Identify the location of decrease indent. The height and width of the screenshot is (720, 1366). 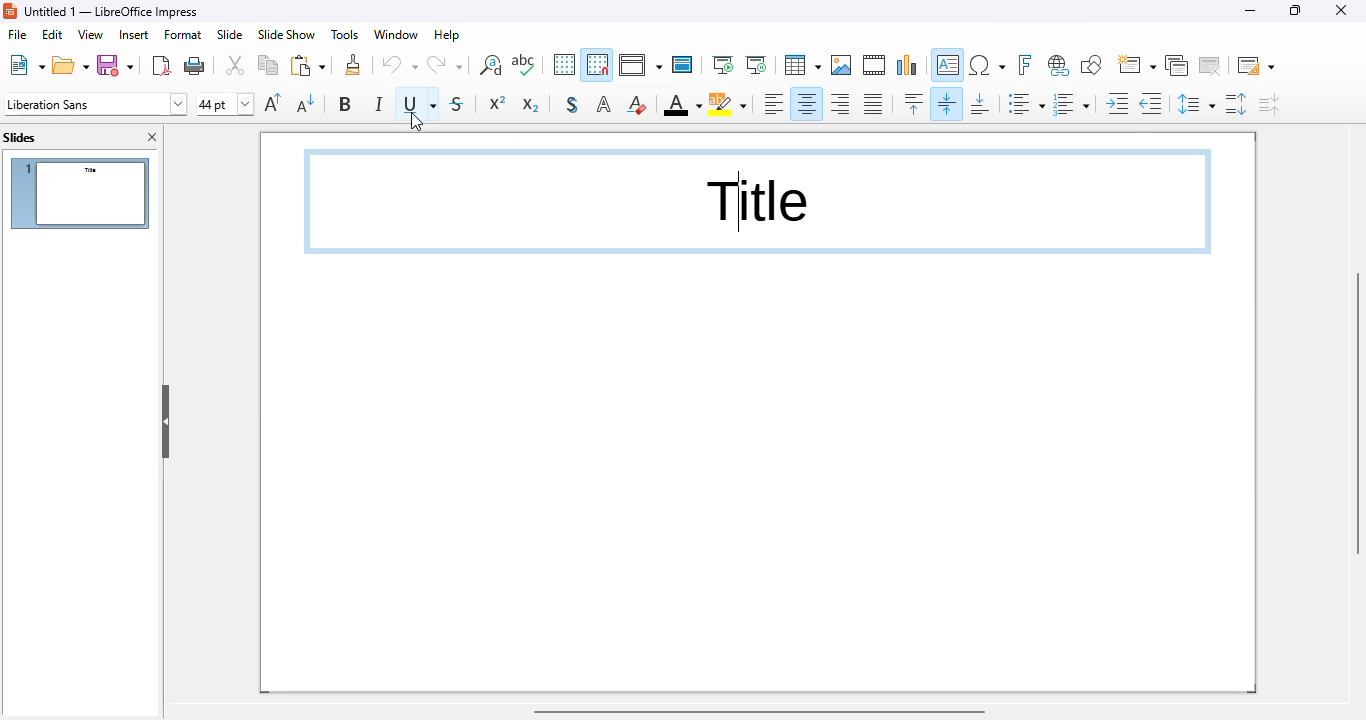
(1152, 104).